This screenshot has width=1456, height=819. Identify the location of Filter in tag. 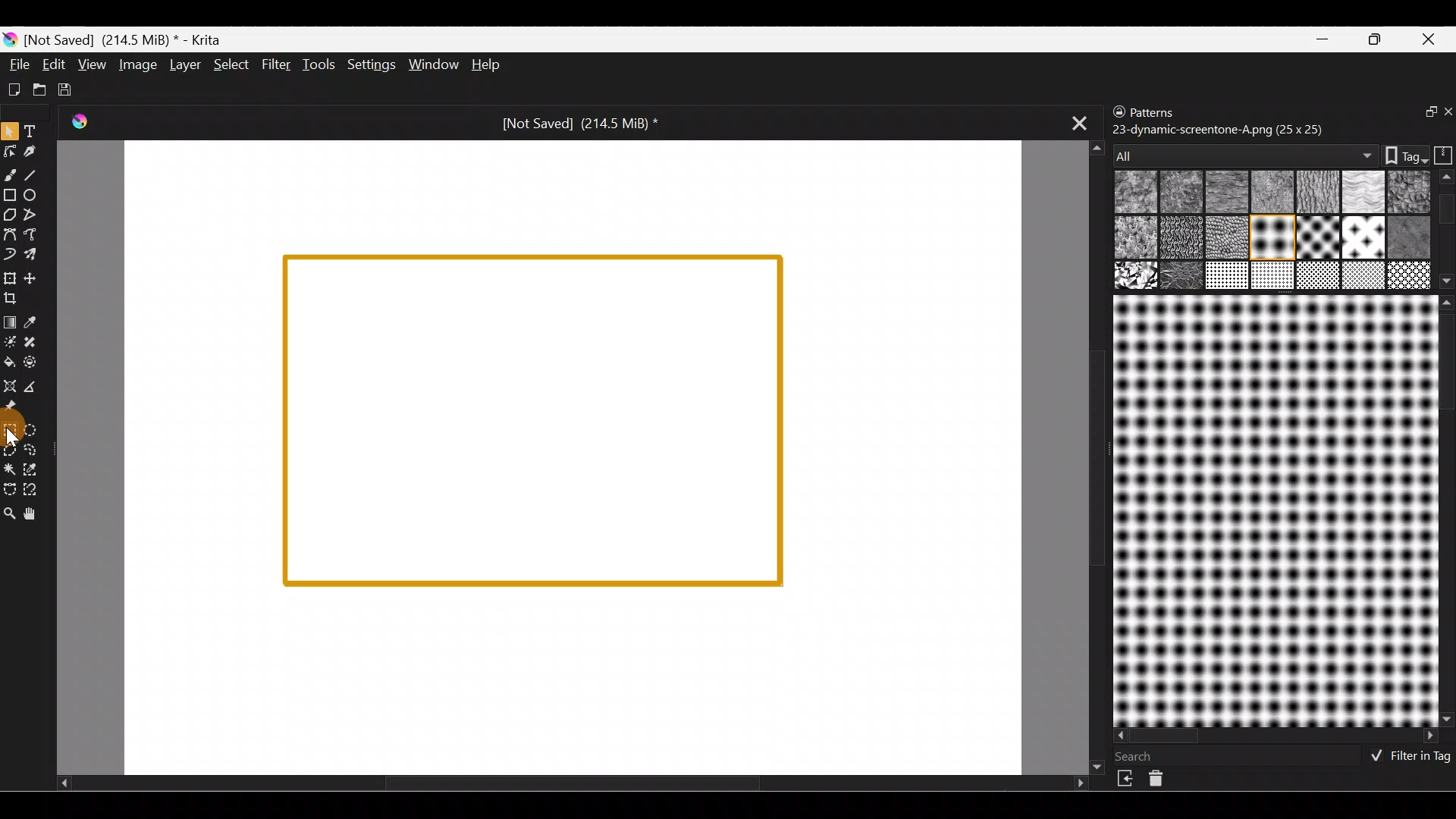
(1407, 758).